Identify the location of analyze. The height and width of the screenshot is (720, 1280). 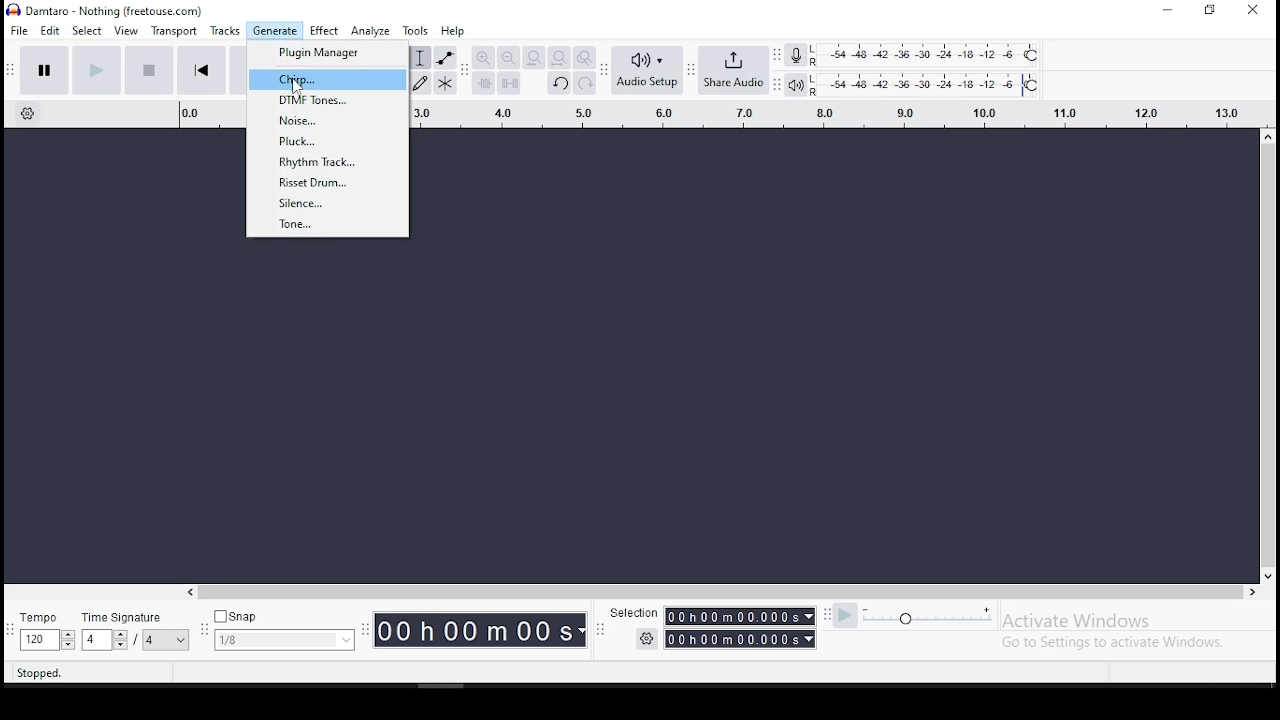
(369, 30).